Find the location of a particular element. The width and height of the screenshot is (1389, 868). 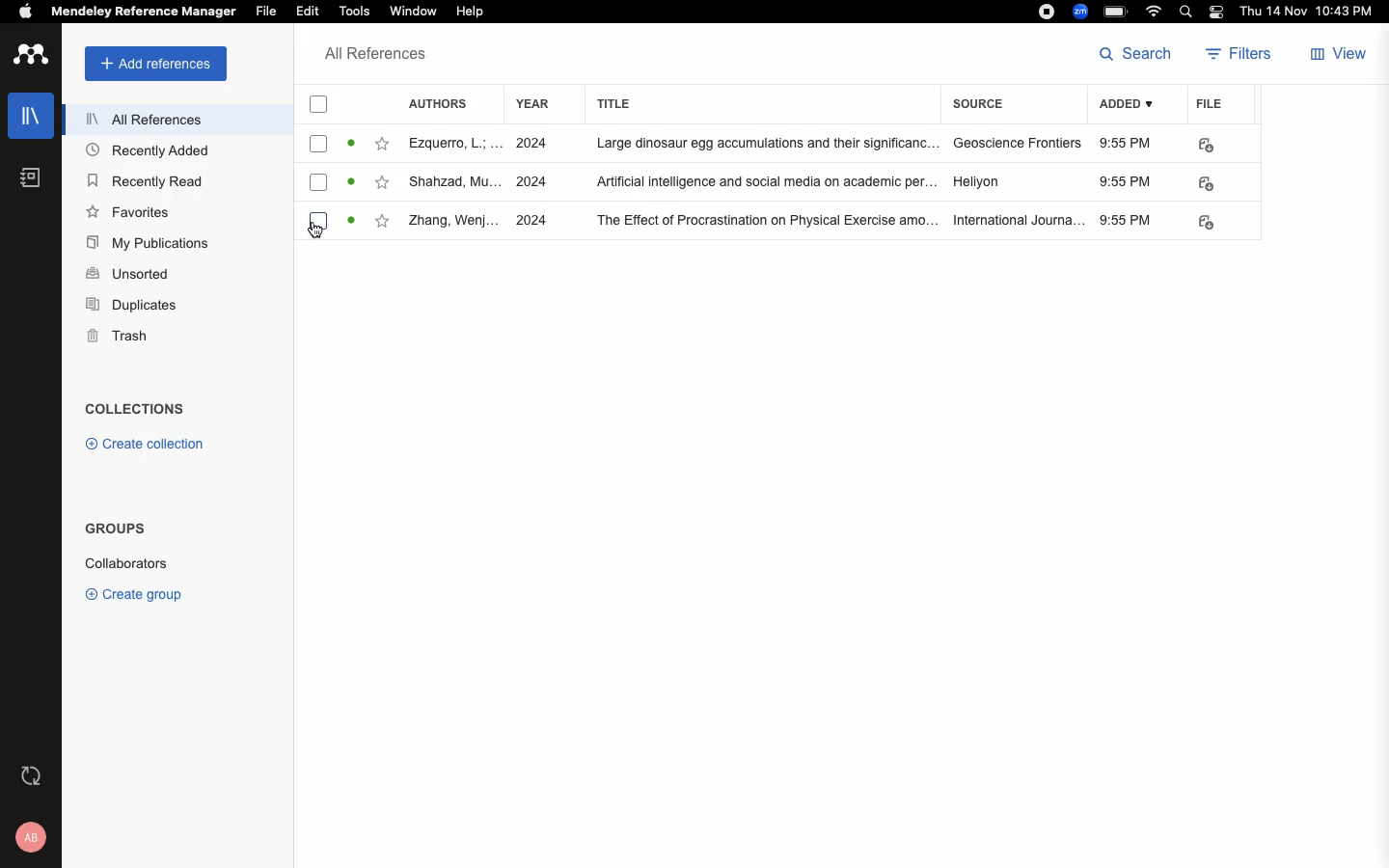

Recently read is located at coordinates (143, 179).